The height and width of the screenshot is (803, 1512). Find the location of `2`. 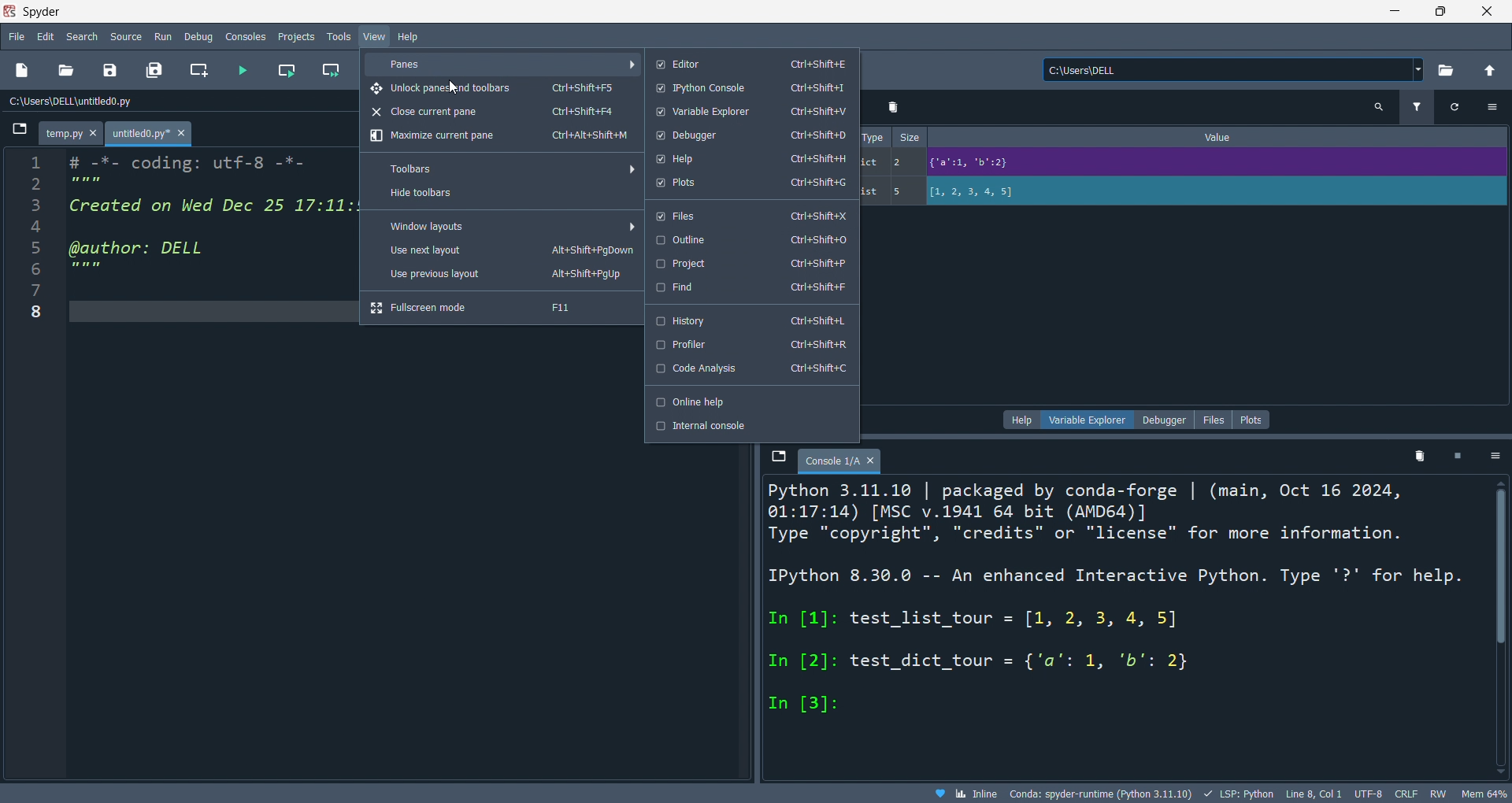

2 is located at coordinates (903, 161).